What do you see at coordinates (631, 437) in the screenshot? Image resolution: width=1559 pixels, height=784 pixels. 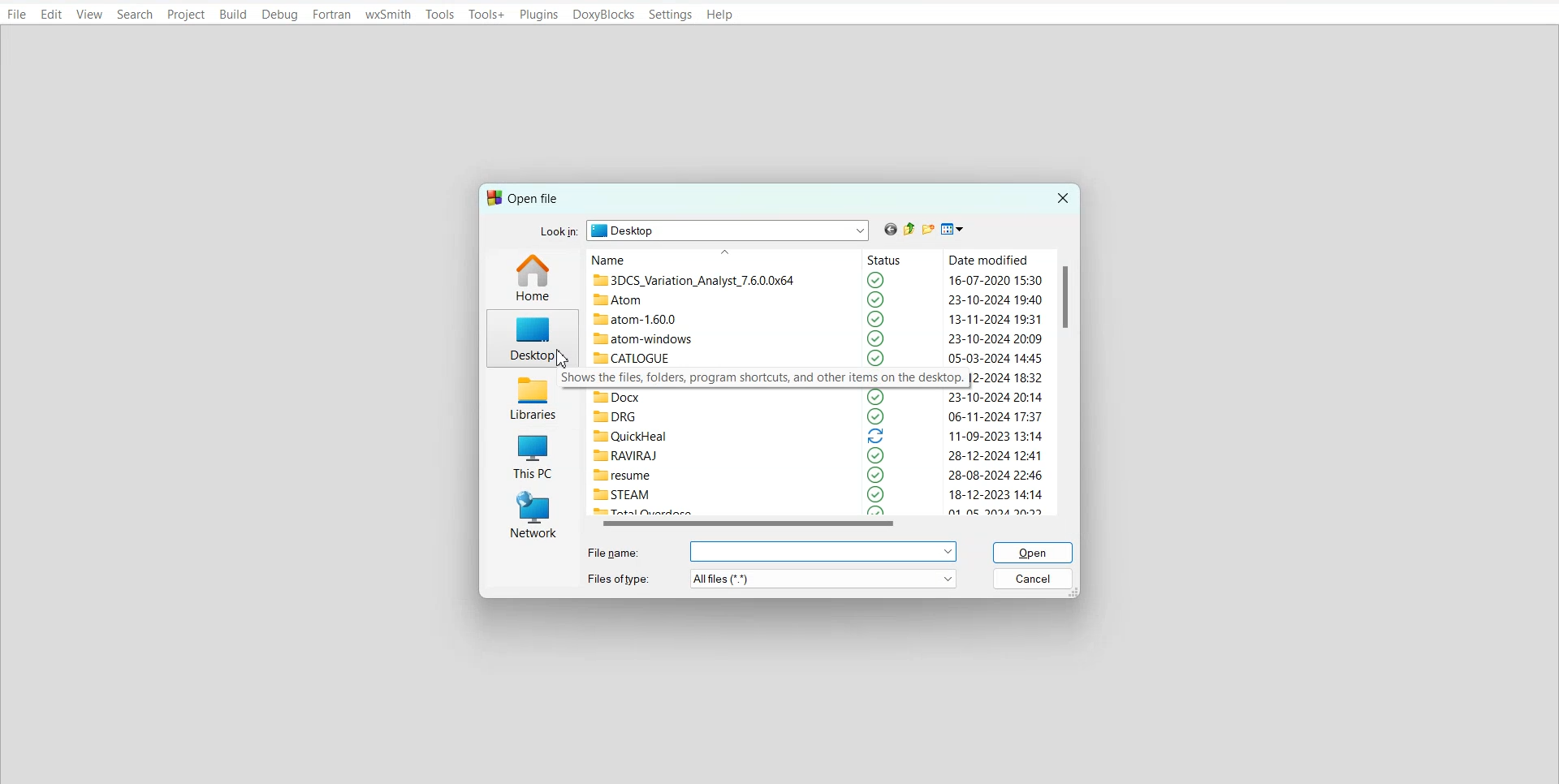 I see `QuickHeal` at bounding box center [631, 437].